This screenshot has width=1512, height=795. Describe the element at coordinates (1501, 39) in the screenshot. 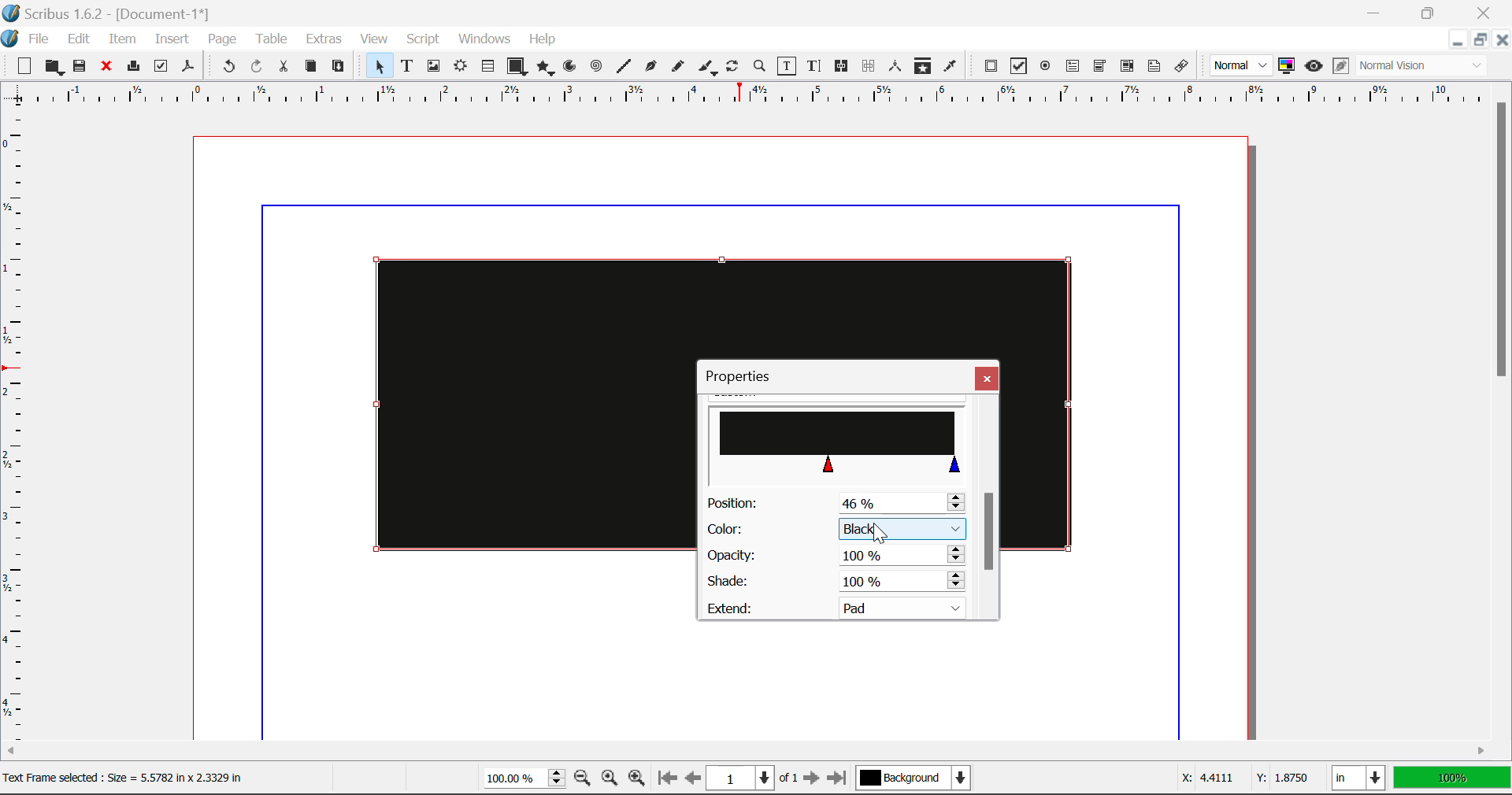

I see `Close` at that location.